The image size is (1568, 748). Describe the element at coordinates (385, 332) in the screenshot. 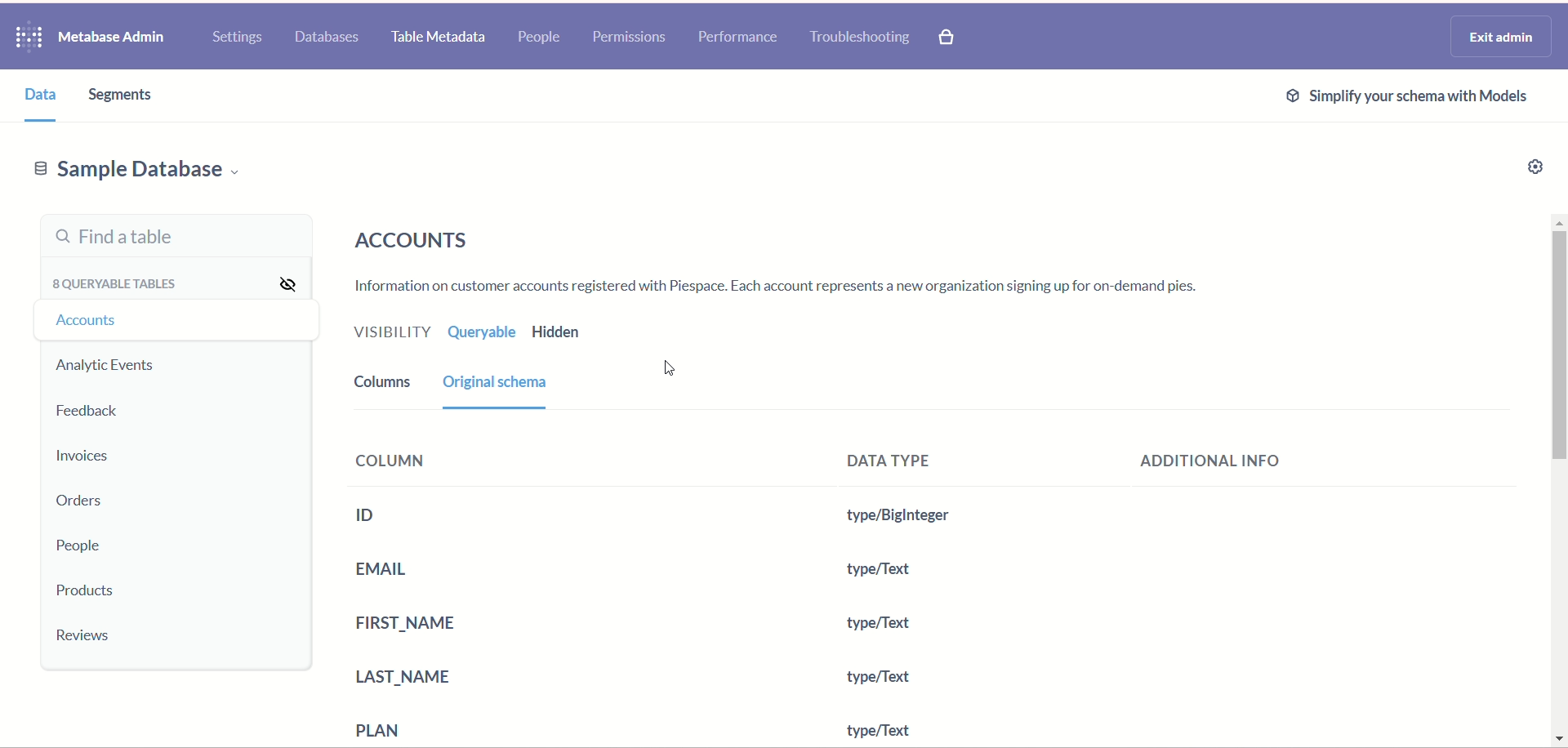

I see `visibility` at that location.